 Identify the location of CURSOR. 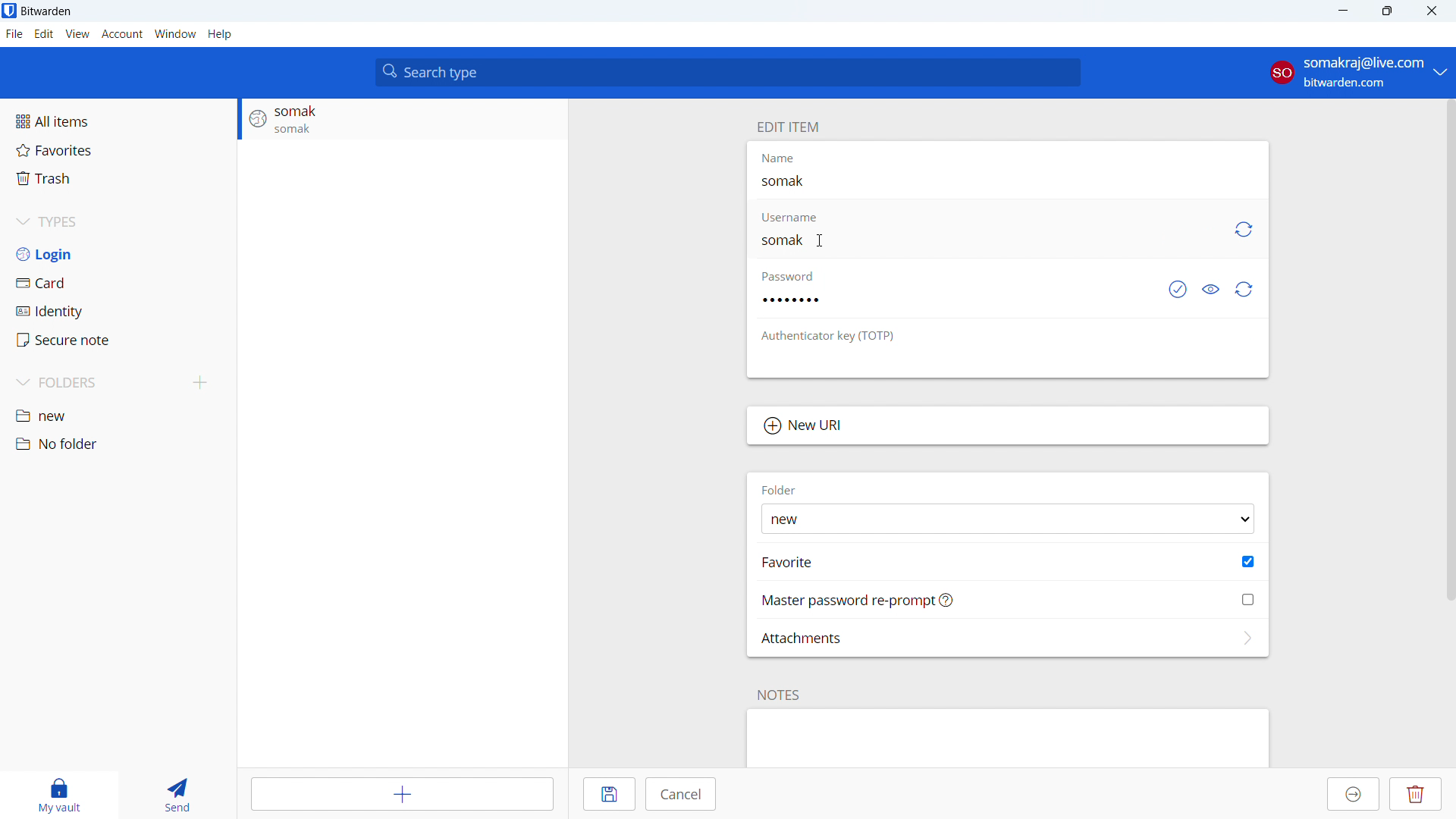
(823, 238).